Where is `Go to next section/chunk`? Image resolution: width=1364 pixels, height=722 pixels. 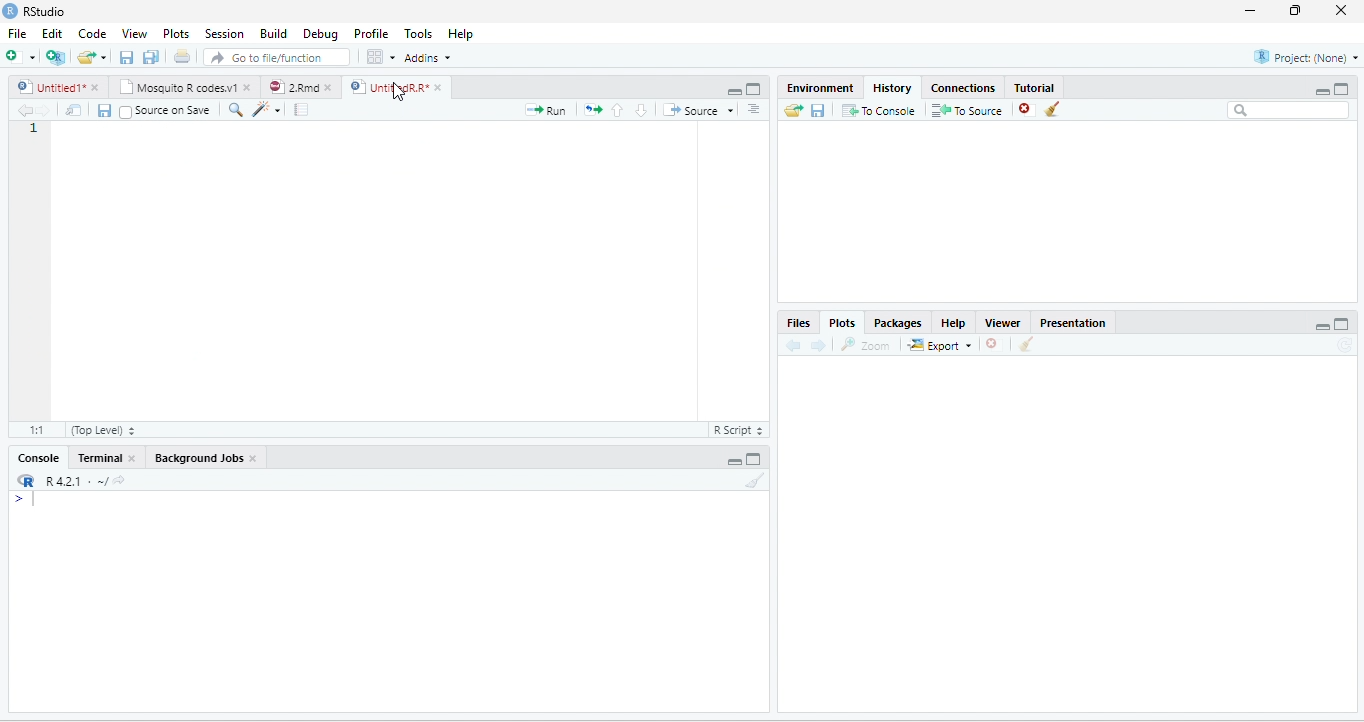
Go to next section/chunk is located at coordinates (641, 110).